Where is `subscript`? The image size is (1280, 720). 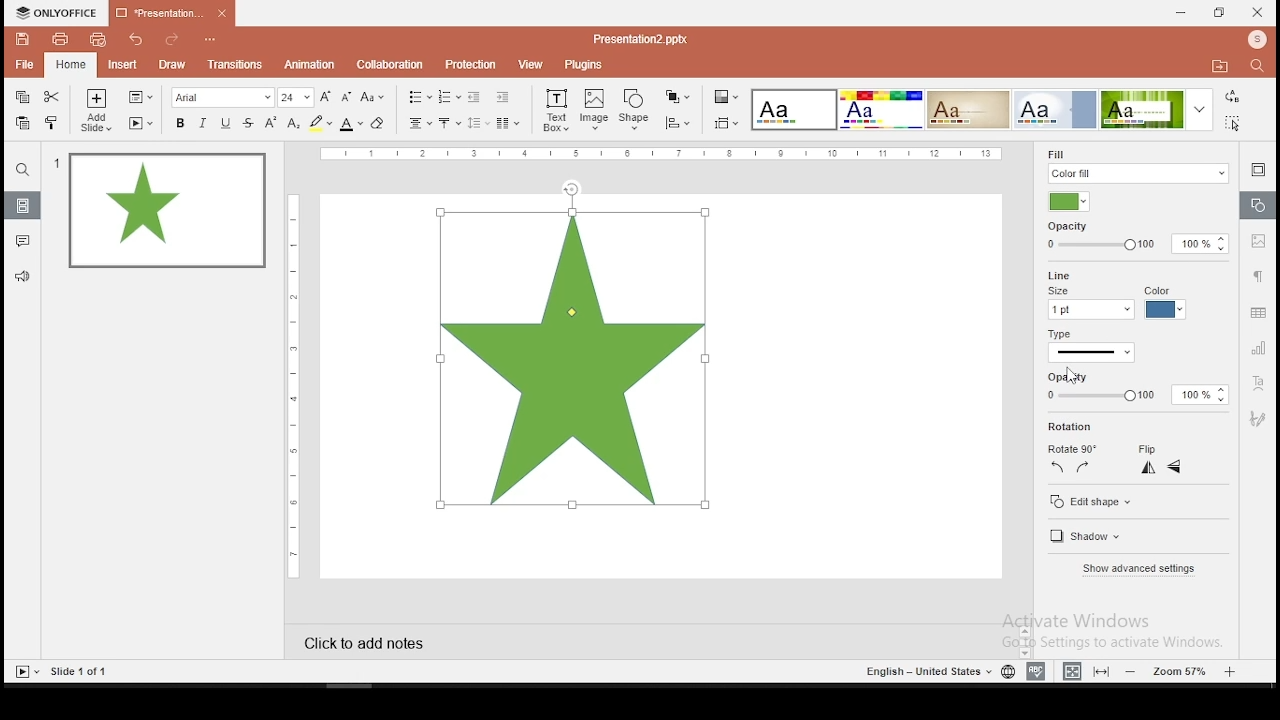
subscript is located at coordinates (293, 123).